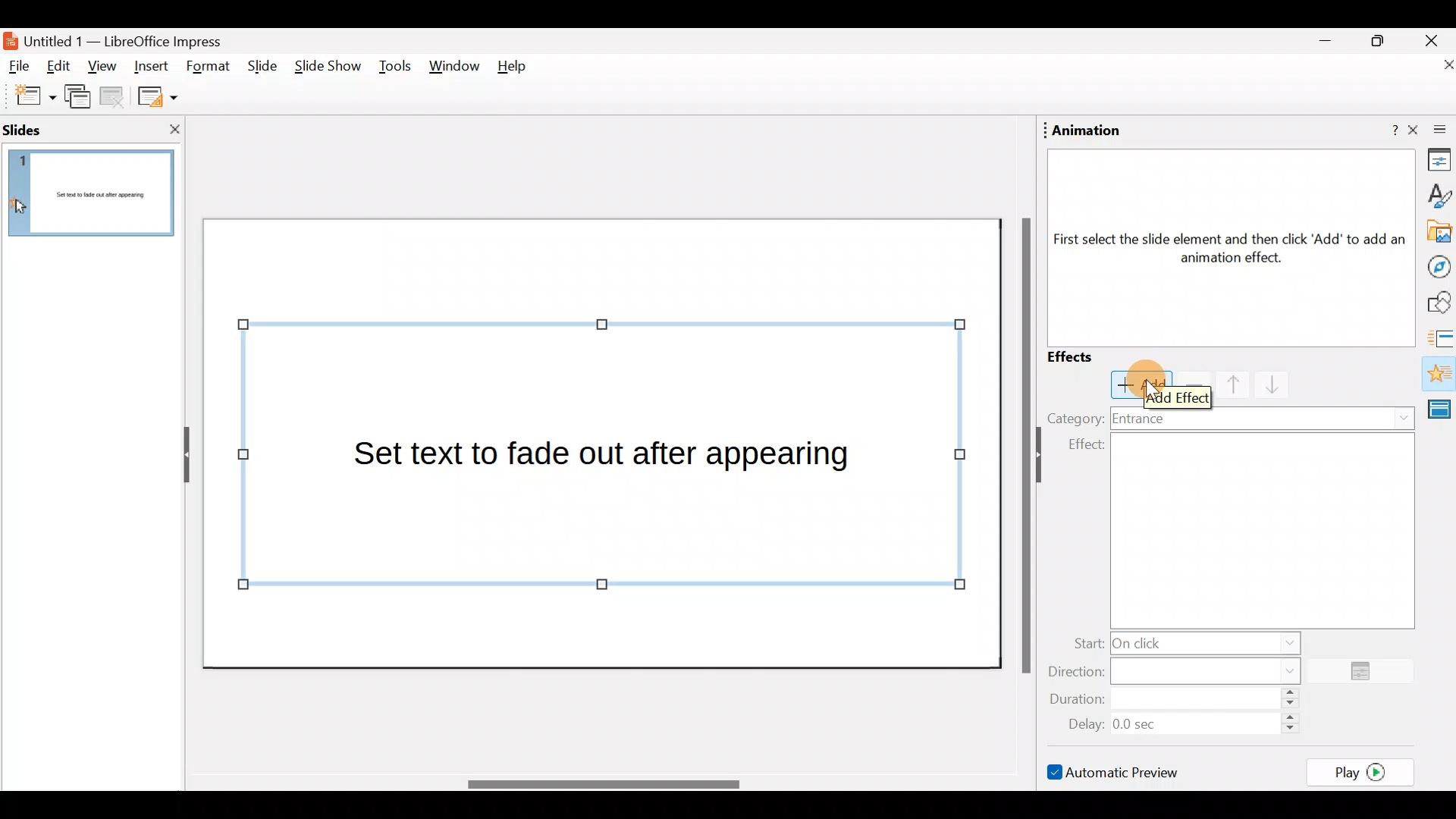  What do you see at coordinates (455, 70) in the screenshot?
I see `Window` at bounding box center [455, 70].